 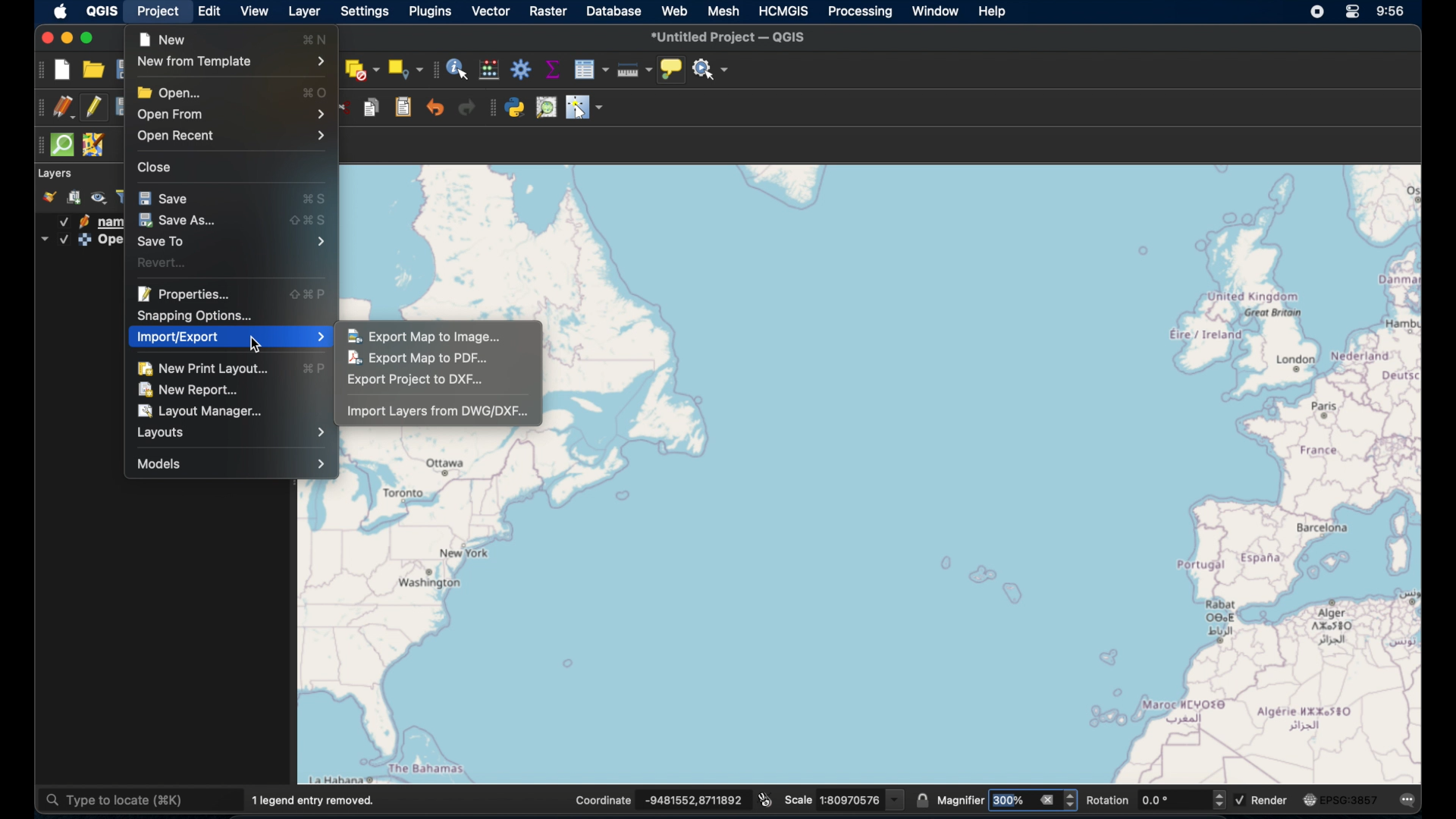 I want to click on toggle extents and mouse display position, so click(x=767, y=799).